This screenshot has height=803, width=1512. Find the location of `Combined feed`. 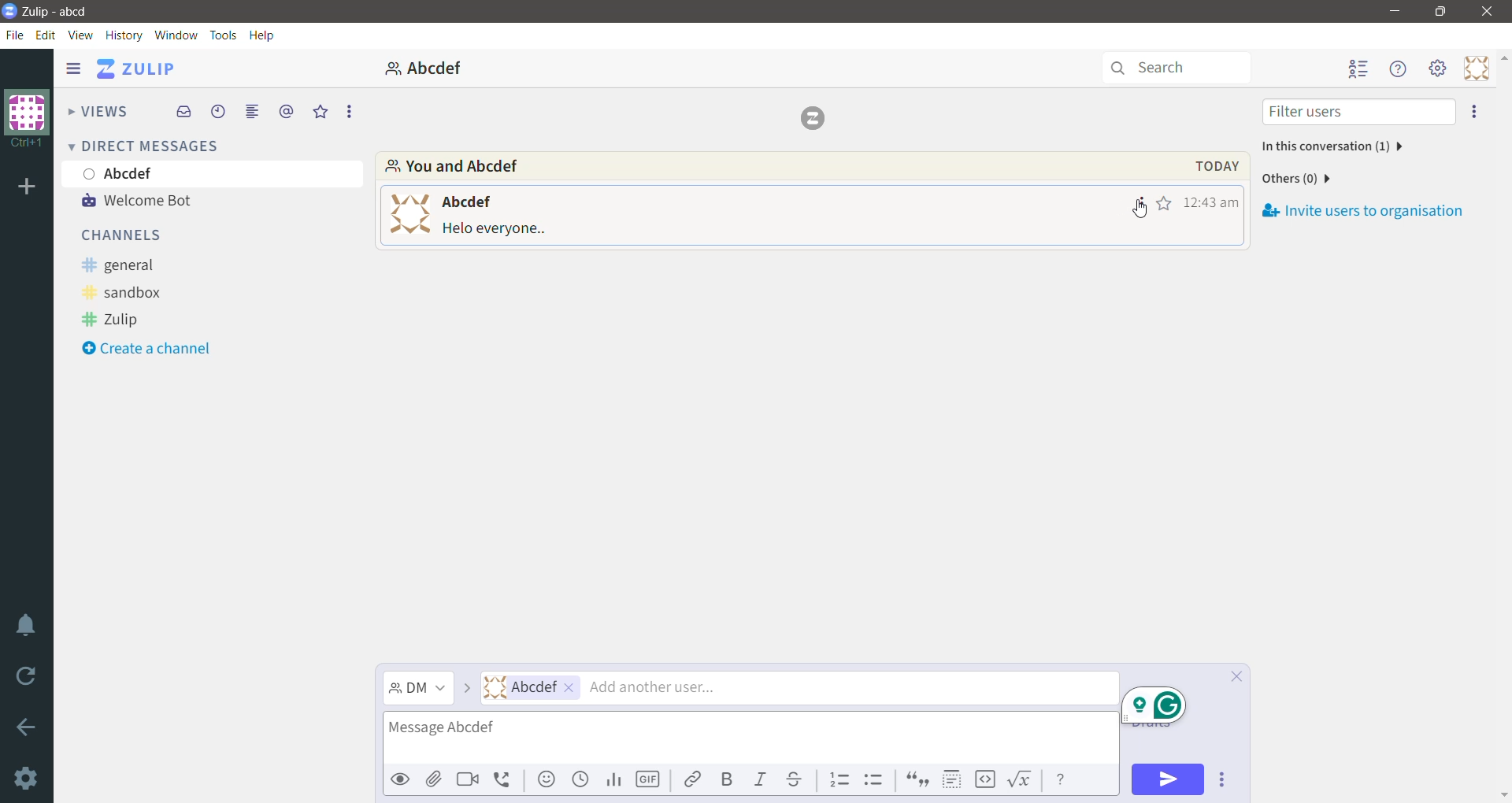

Combined feed is located at coordinates (252, 112).